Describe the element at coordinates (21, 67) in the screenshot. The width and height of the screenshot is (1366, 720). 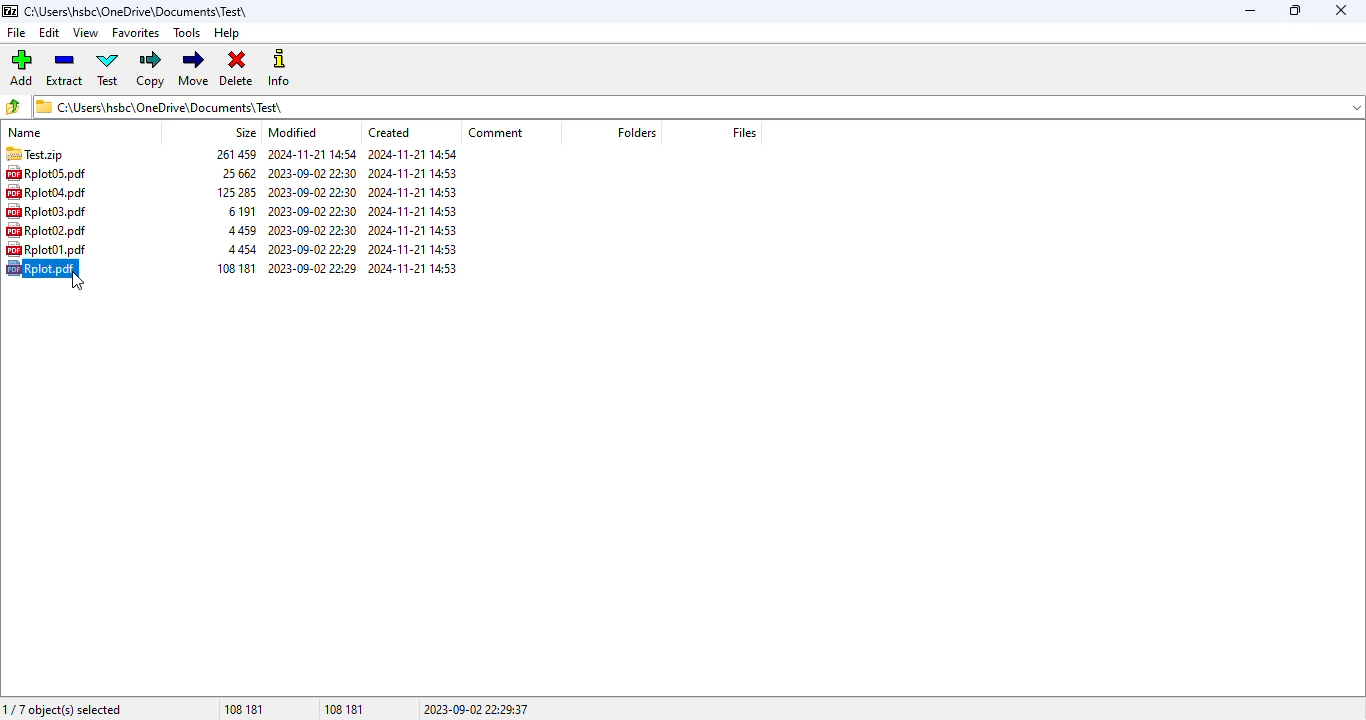
I see `add` at that location.